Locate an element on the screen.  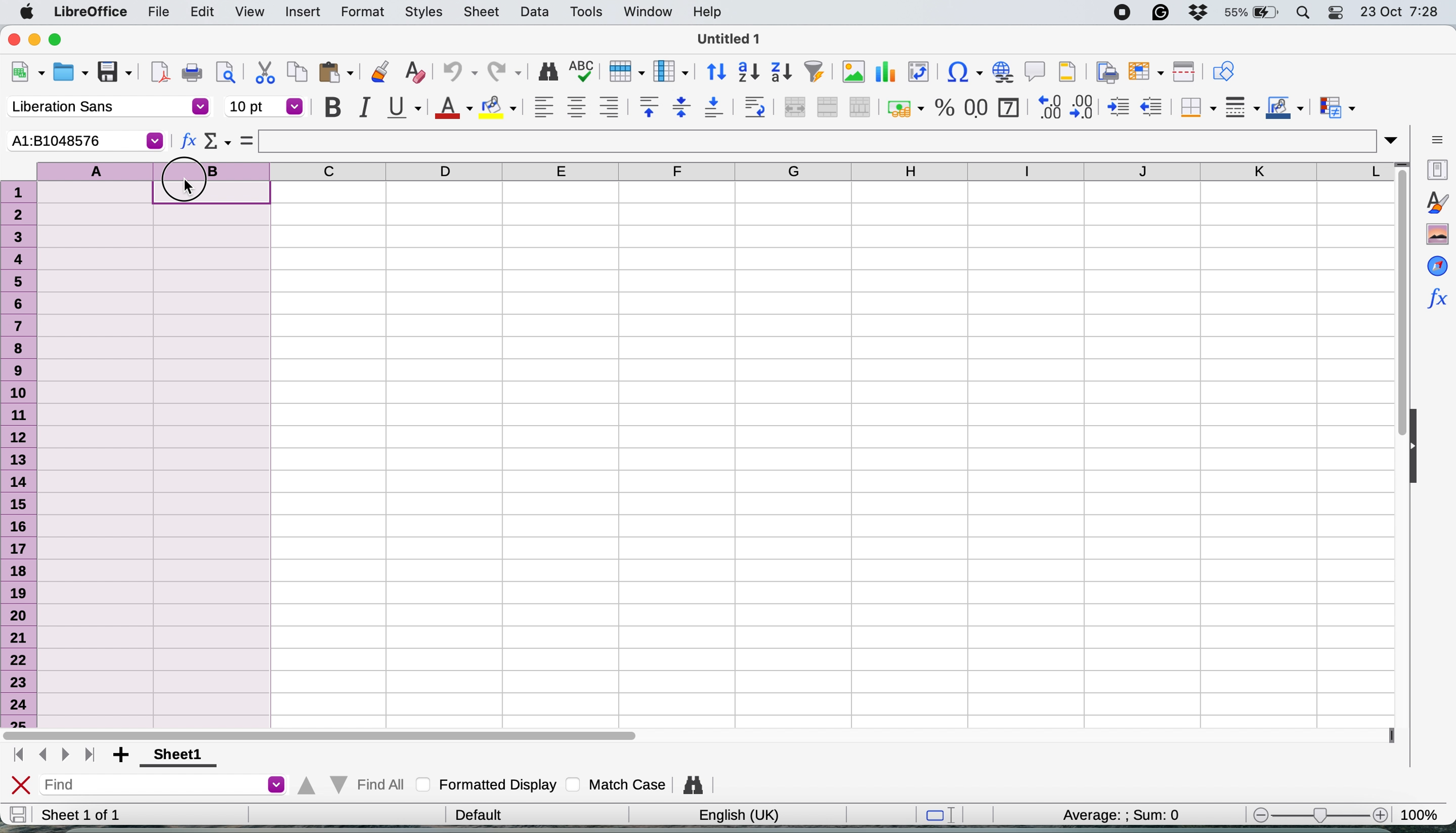
export as pdf is located at coordinates (161, 74).